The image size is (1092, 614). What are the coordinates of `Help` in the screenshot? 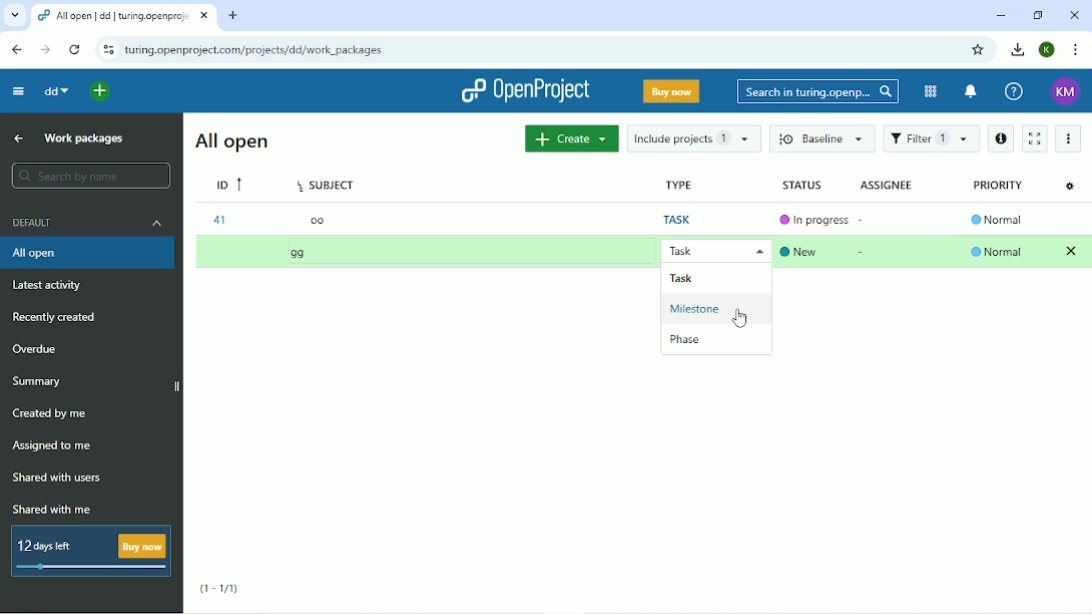 It's located at (1014, 92).